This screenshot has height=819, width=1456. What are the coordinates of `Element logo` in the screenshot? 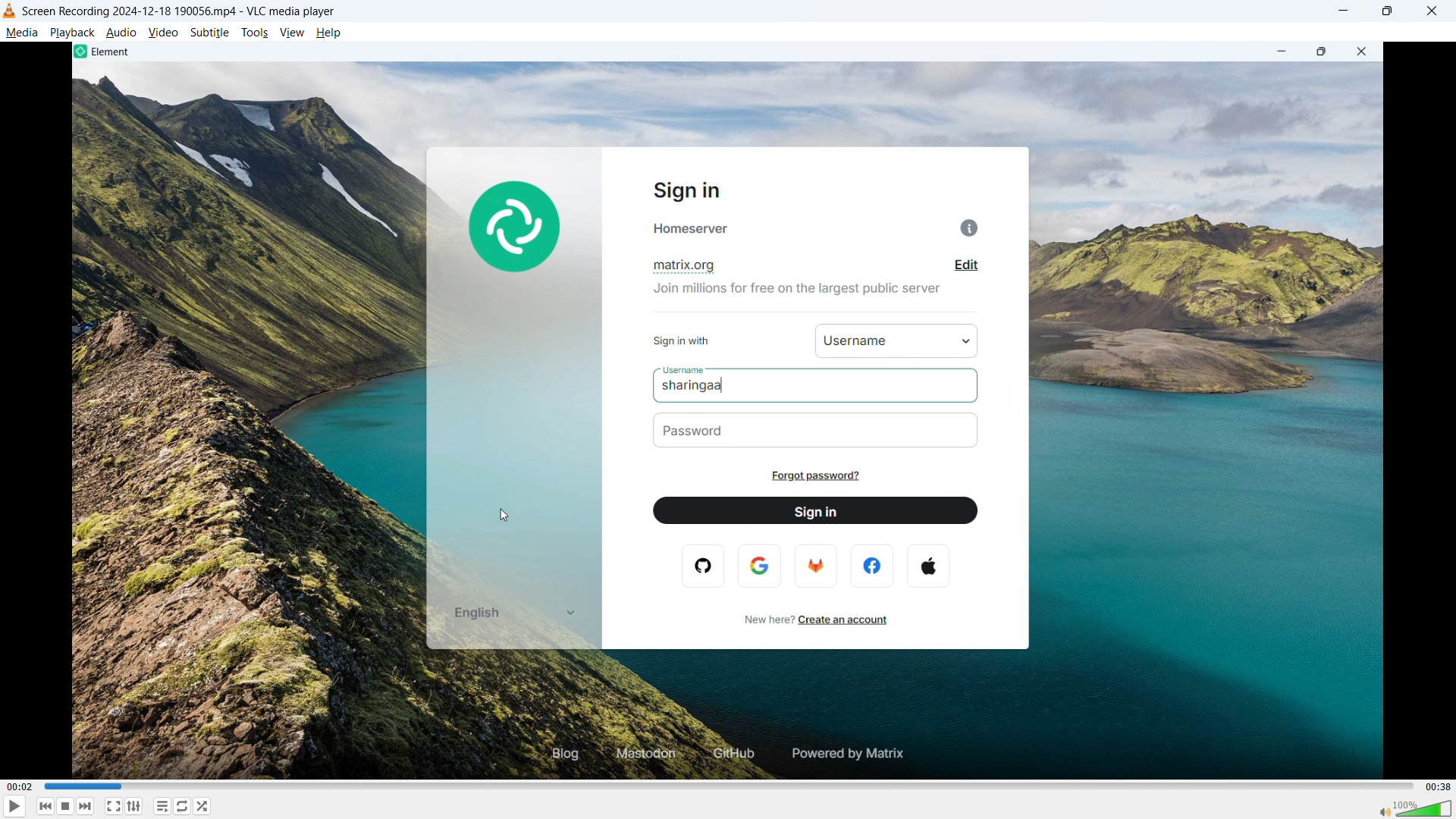 It's located at (513, 224).